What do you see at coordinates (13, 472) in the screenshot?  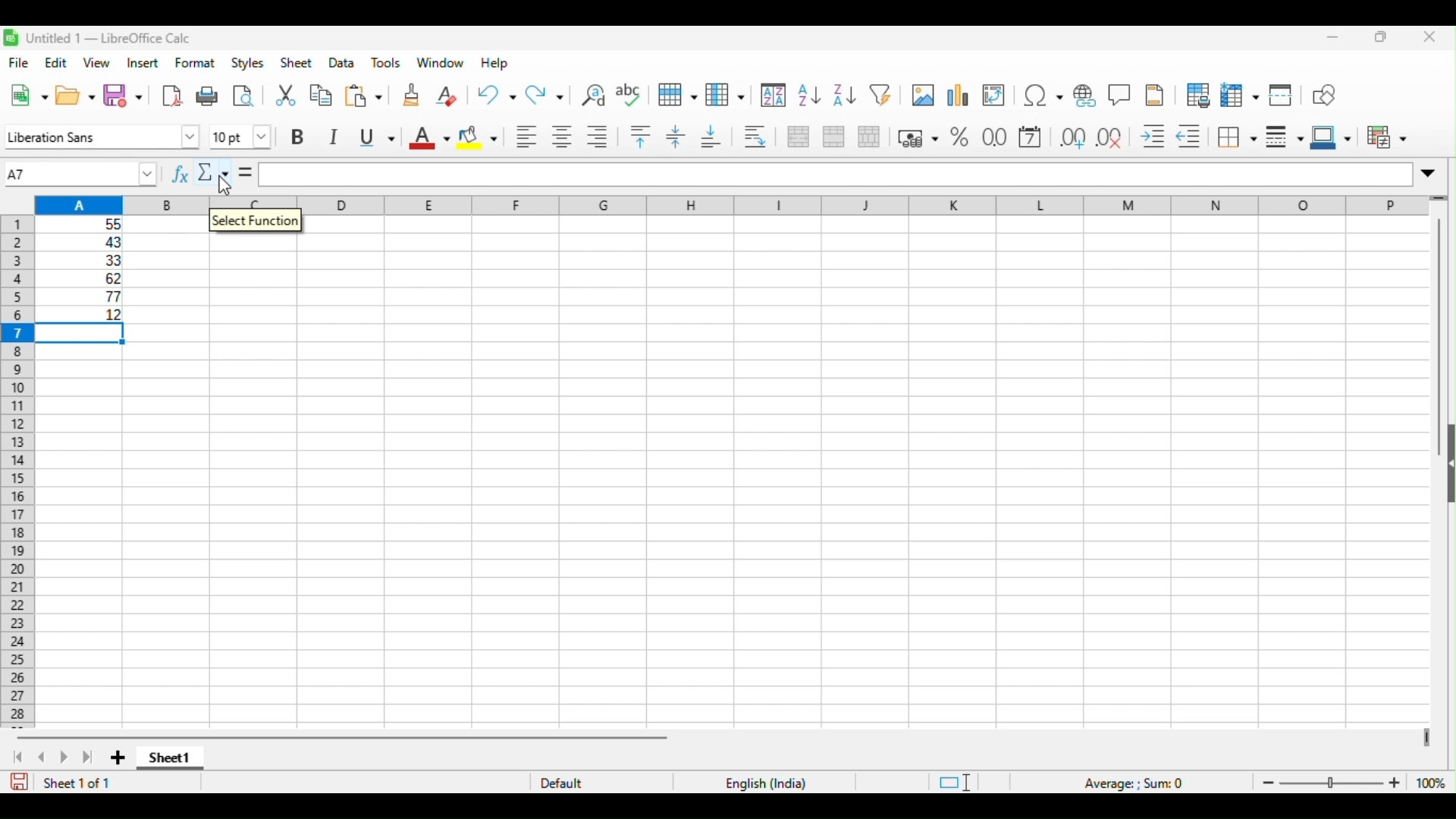 I see `row numbers` at bounding box center [13, 472].